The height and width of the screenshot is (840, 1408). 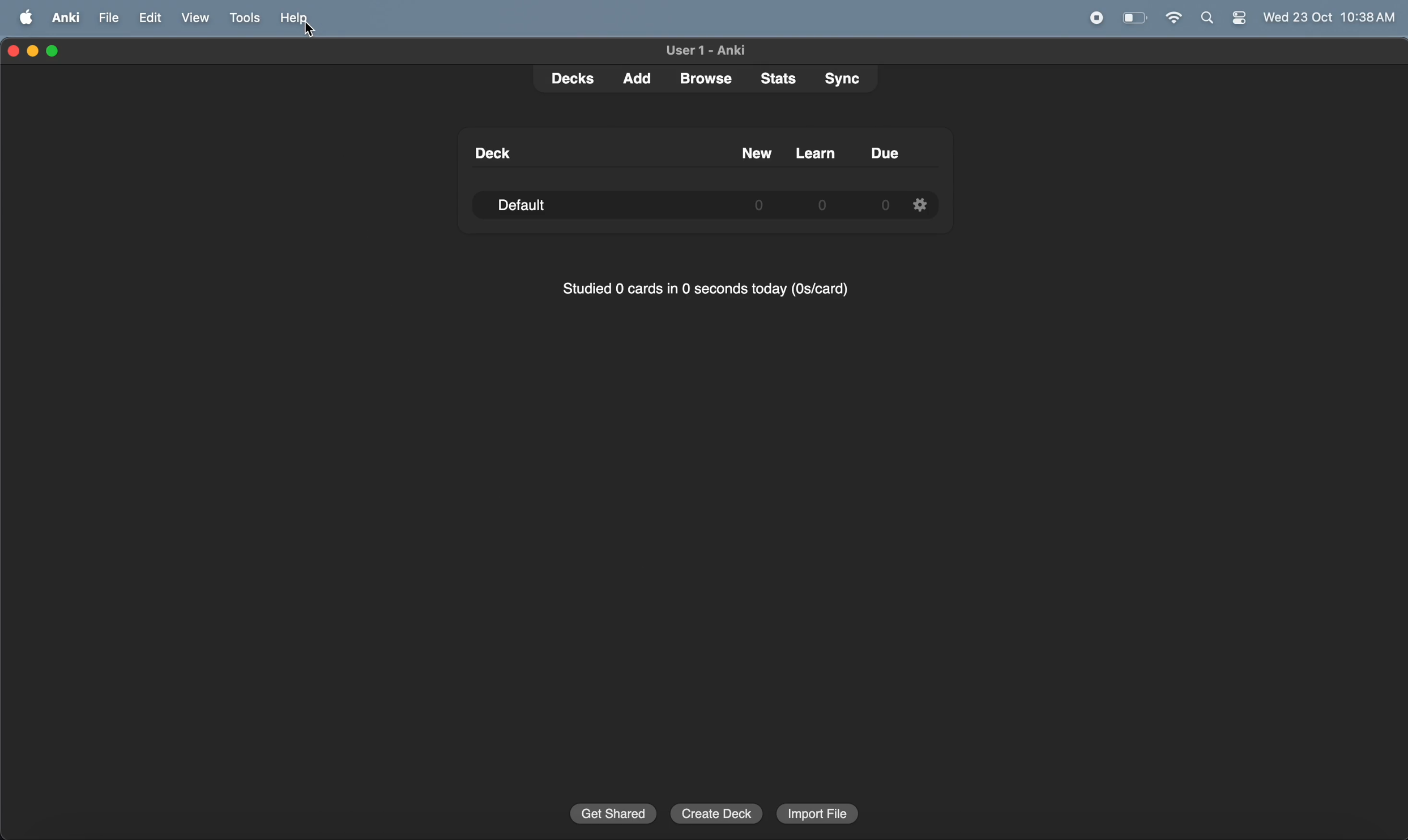 What do you see at coordinates (825, 205) in the screenshot?
I see `number` at bounding box center [825, 205].